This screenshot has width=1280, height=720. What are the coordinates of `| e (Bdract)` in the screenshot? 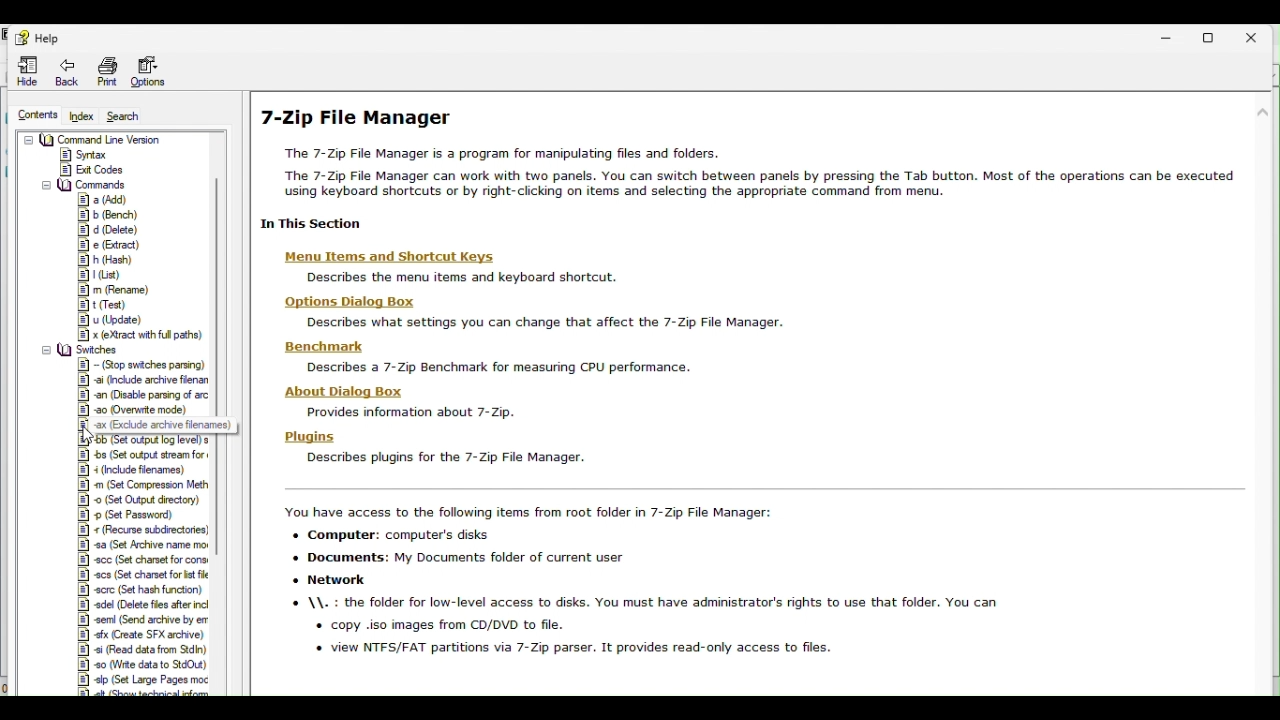 It's located at (113, 246).